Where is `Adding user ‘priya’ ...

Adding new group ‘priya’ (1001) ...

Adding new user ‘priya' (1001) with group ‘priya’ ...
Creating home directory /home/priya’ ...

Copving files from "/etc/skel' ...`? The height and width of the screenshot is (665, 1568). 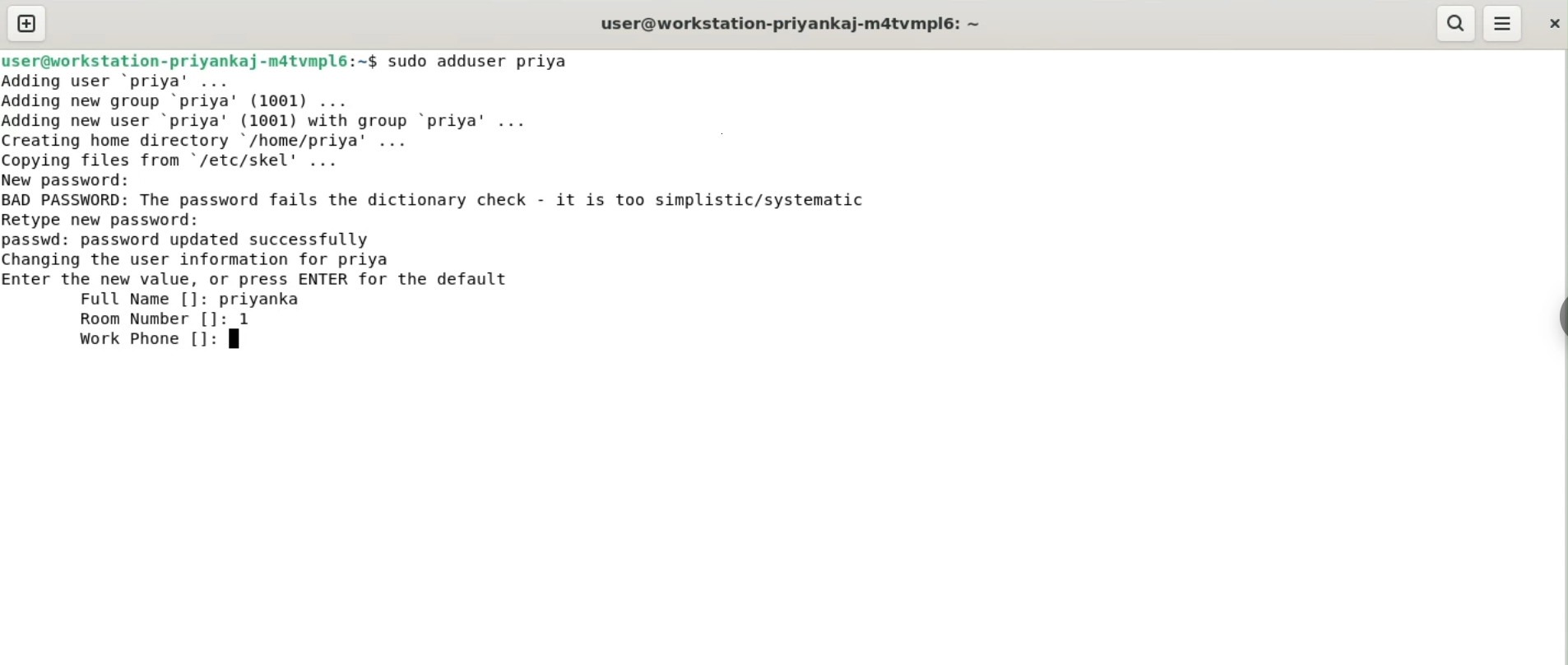
Adding user ‘priya’ ...

Adding new group ‘priya’ (1001) ...

Adding new user ‘priya' (1001) with group ‘priya’ ...
Creating home directory /home/priya’ ...

Copving files from "/etc/skel' ... is located at coordinates (318, 119).